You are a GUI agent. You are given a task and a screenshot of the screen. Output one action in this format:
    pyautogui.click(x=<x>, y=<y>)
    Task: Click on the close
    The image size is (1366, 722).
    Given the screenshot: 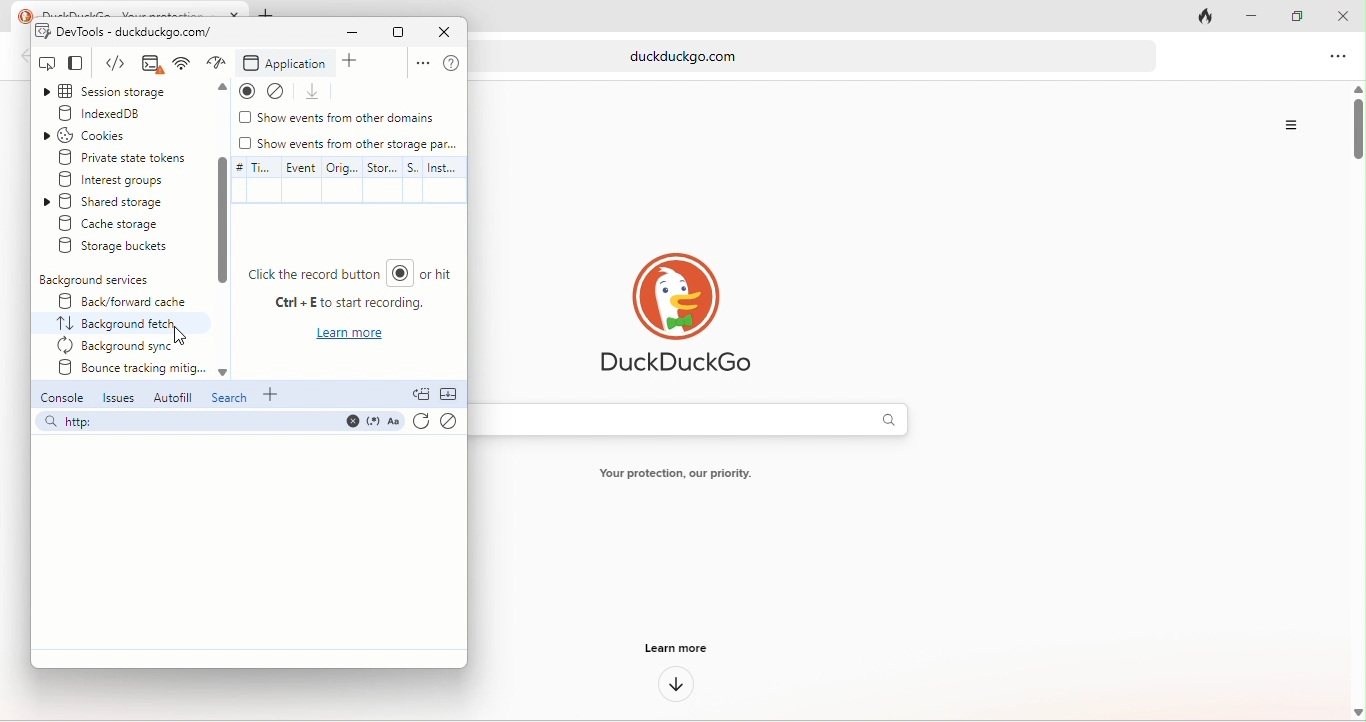 What is the action you would take?
    pyautogui.click(x=443, y=32)
    